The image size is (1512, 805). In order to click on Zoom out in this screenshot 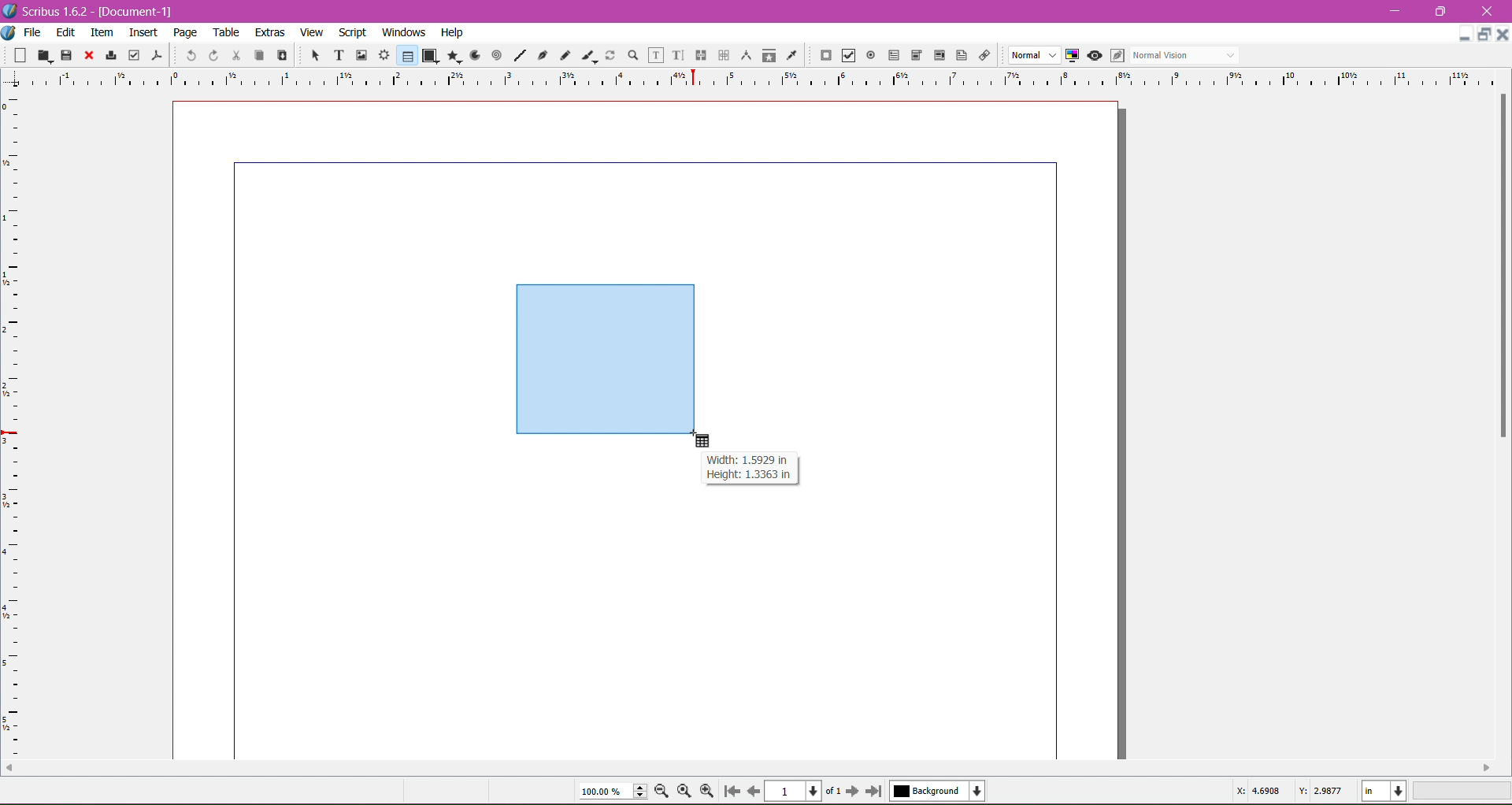, I will do `click(665, 790)`.